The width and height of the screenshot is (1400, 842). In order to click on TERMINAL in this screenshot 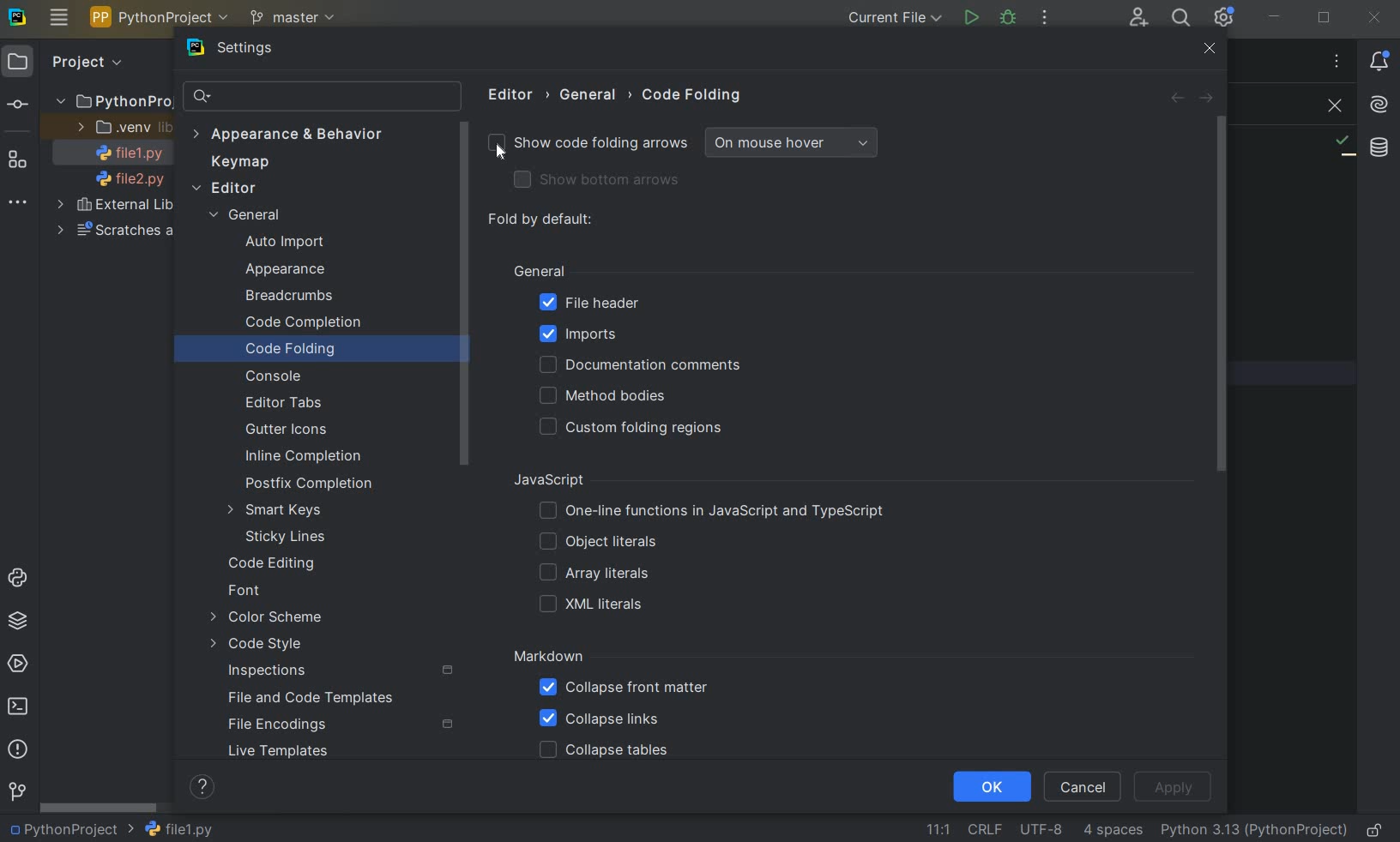, I will do `click(22, 703)`.